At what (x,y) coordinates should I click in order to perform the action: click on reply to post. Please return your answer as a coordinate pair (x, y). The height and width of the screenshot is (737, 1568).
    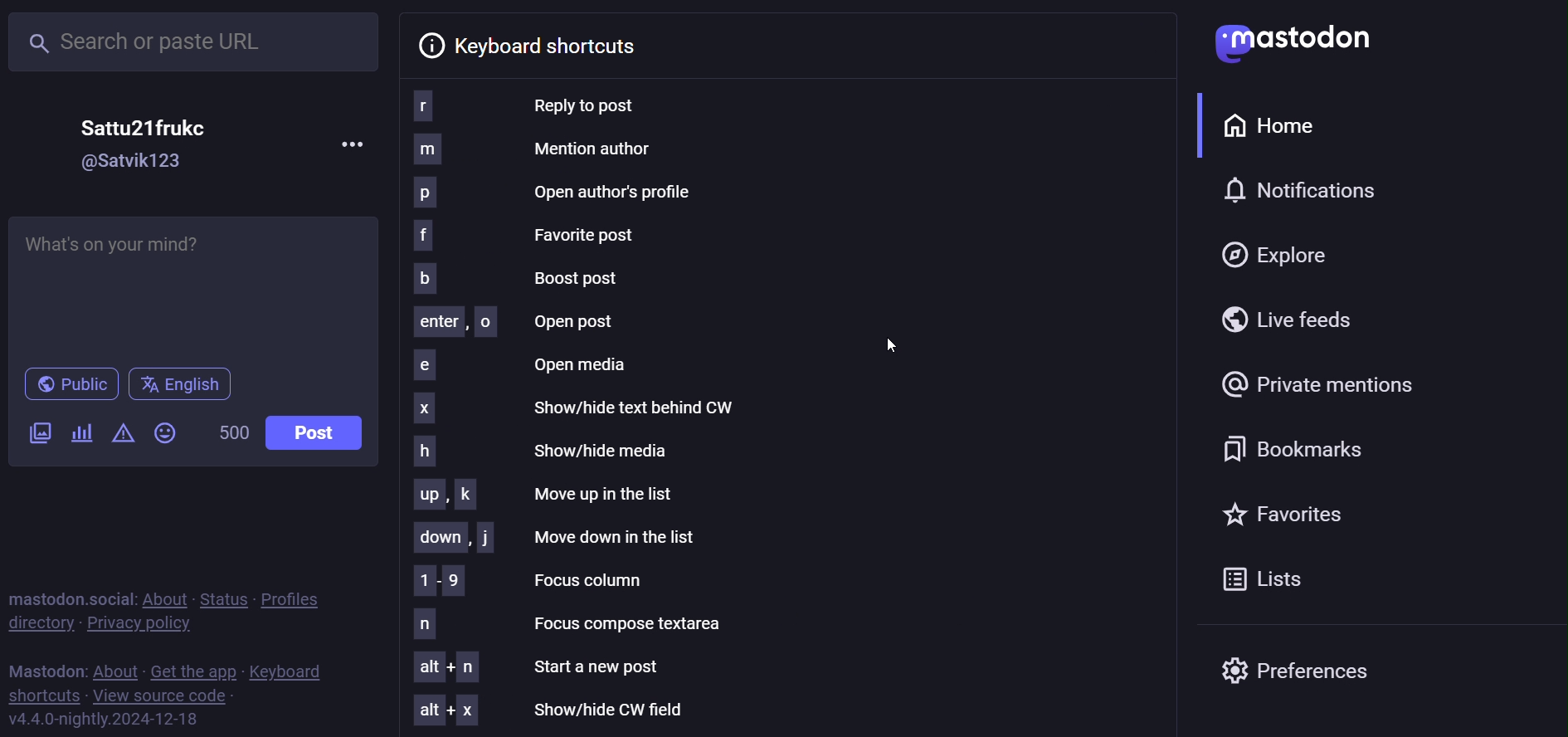
    Looking at the image, I should click on (544, 105).